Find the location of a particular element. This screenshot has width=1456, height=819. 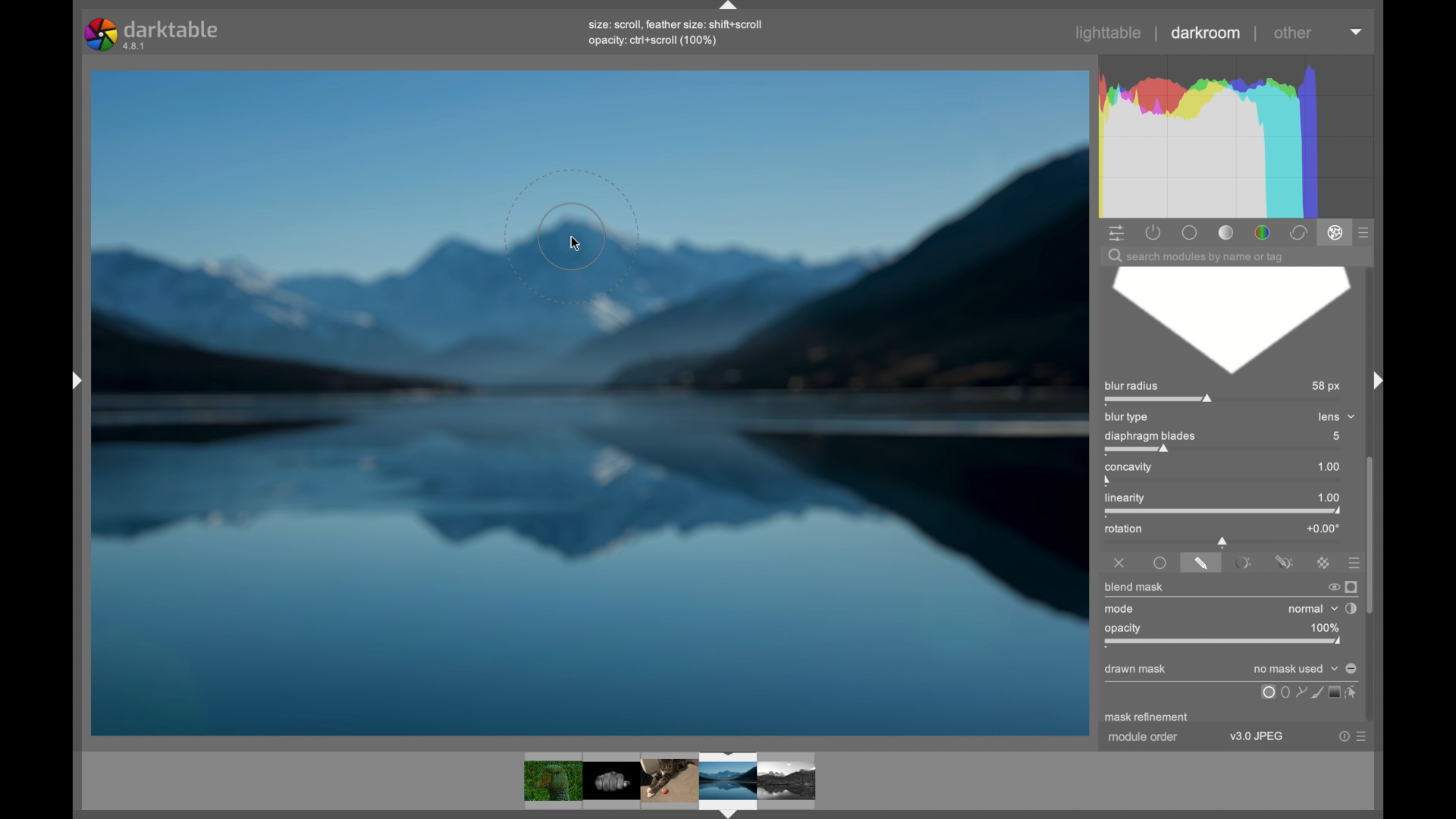

uniformly is located at coordinates (1269, 692).